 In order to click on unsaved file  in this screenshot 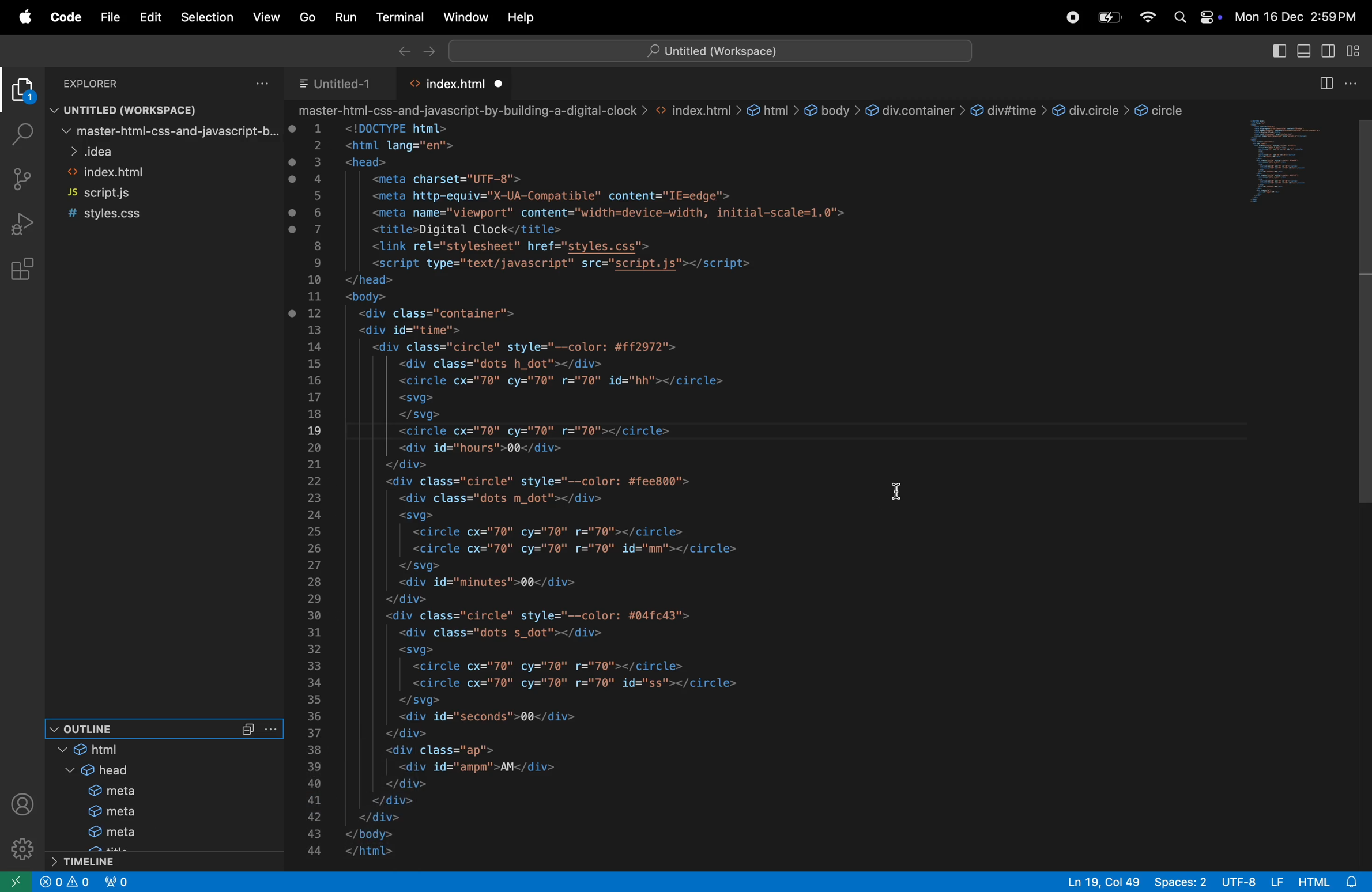, I will do `click(501, 84)`.